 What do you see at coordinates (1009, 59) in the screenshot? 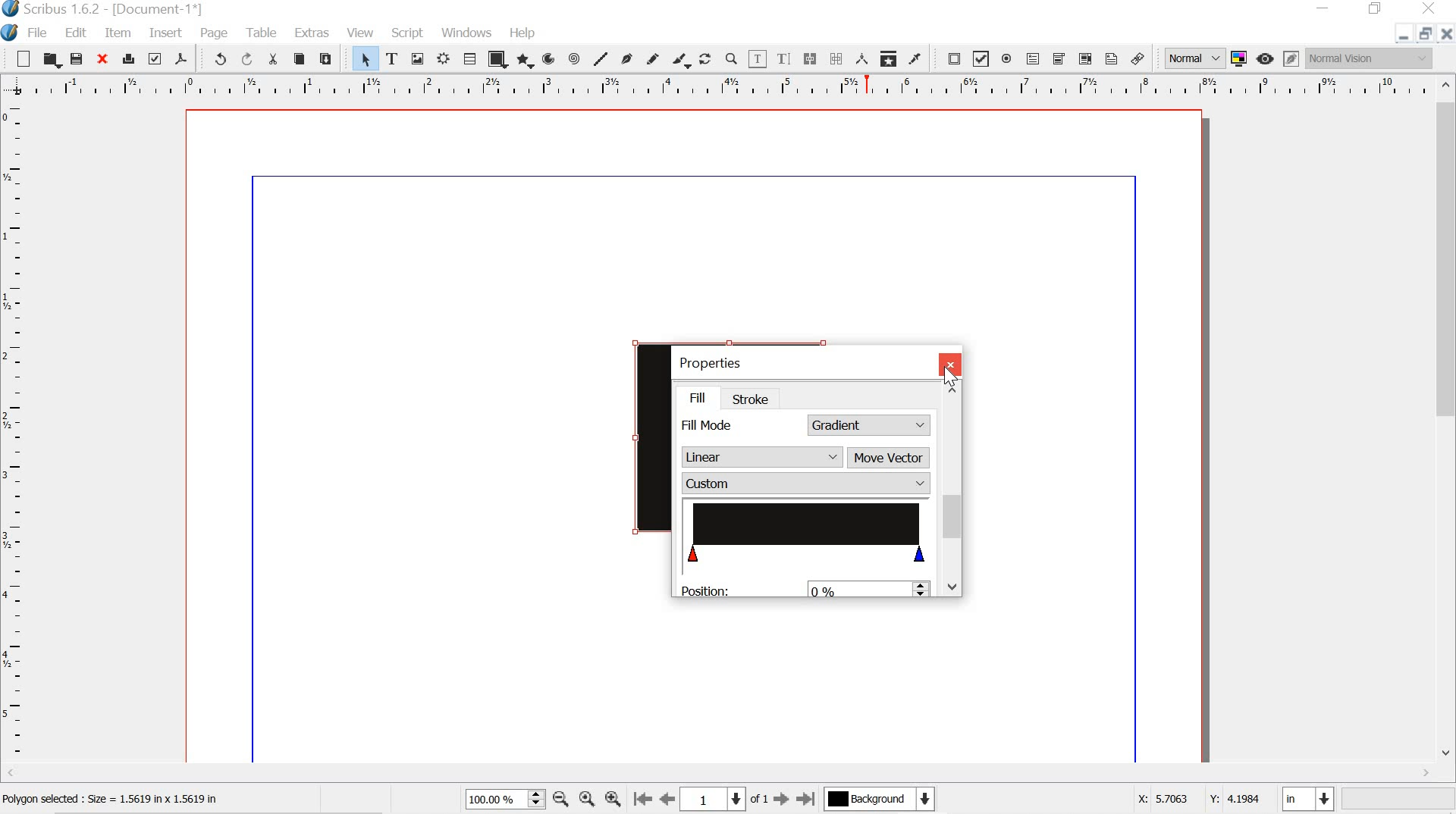
I see `pdf radio button` at bounding box center [1009, 59].